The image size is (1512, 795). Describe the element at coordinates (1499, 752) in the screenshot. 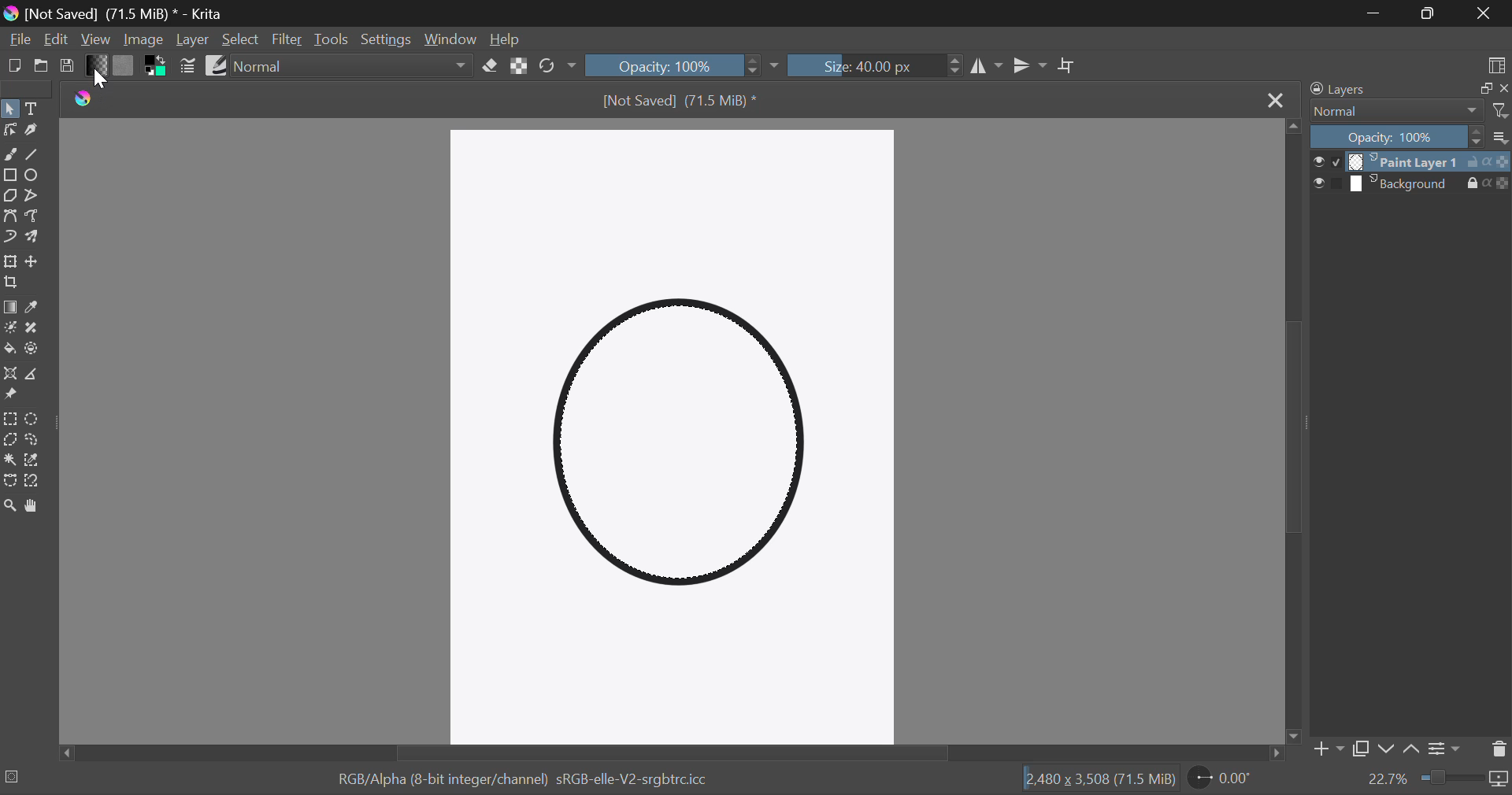

I see `Delete Layer` at that location.